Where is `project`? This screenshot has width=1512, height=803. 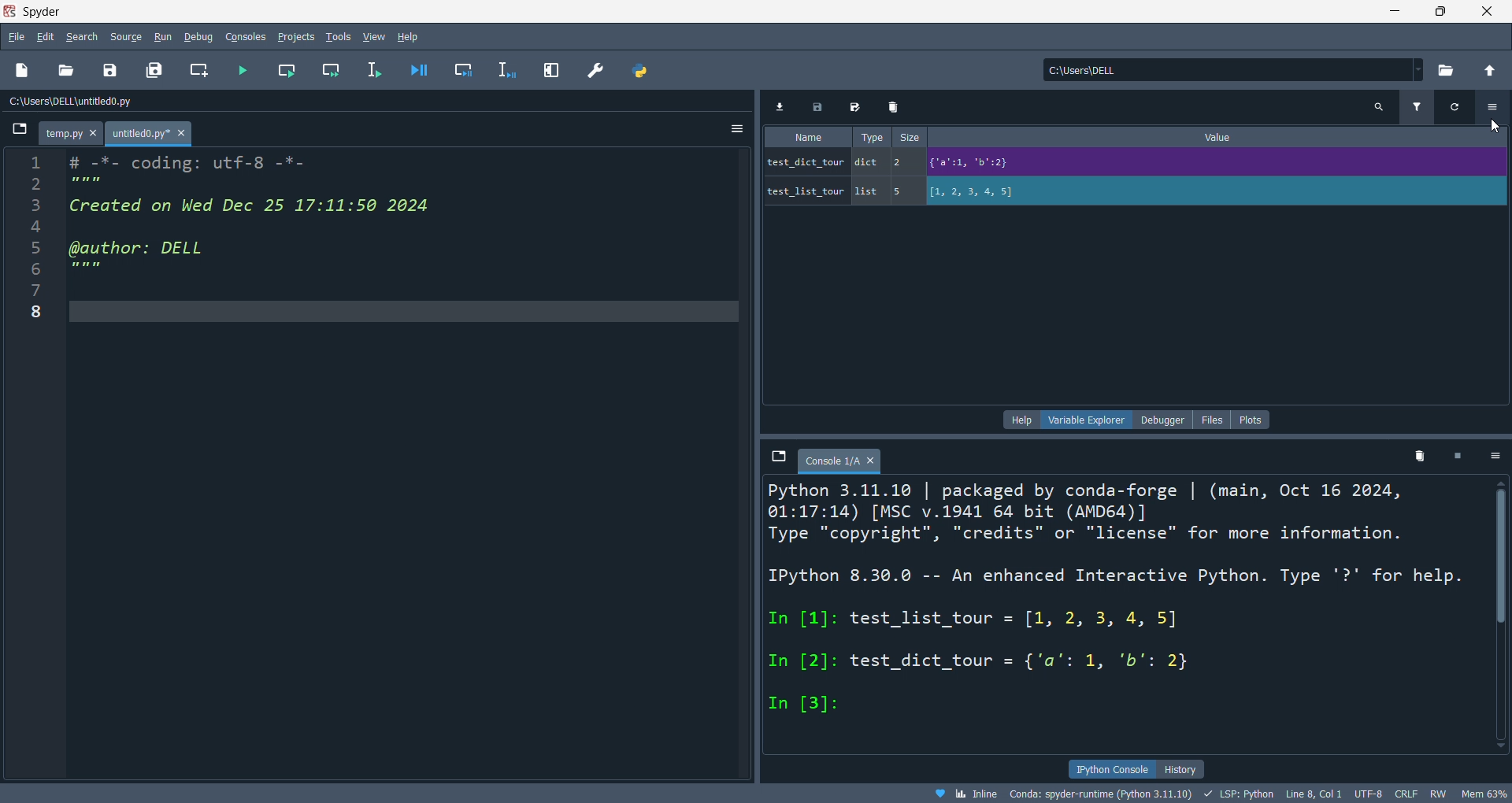 project is located at coordinates (299, 36).